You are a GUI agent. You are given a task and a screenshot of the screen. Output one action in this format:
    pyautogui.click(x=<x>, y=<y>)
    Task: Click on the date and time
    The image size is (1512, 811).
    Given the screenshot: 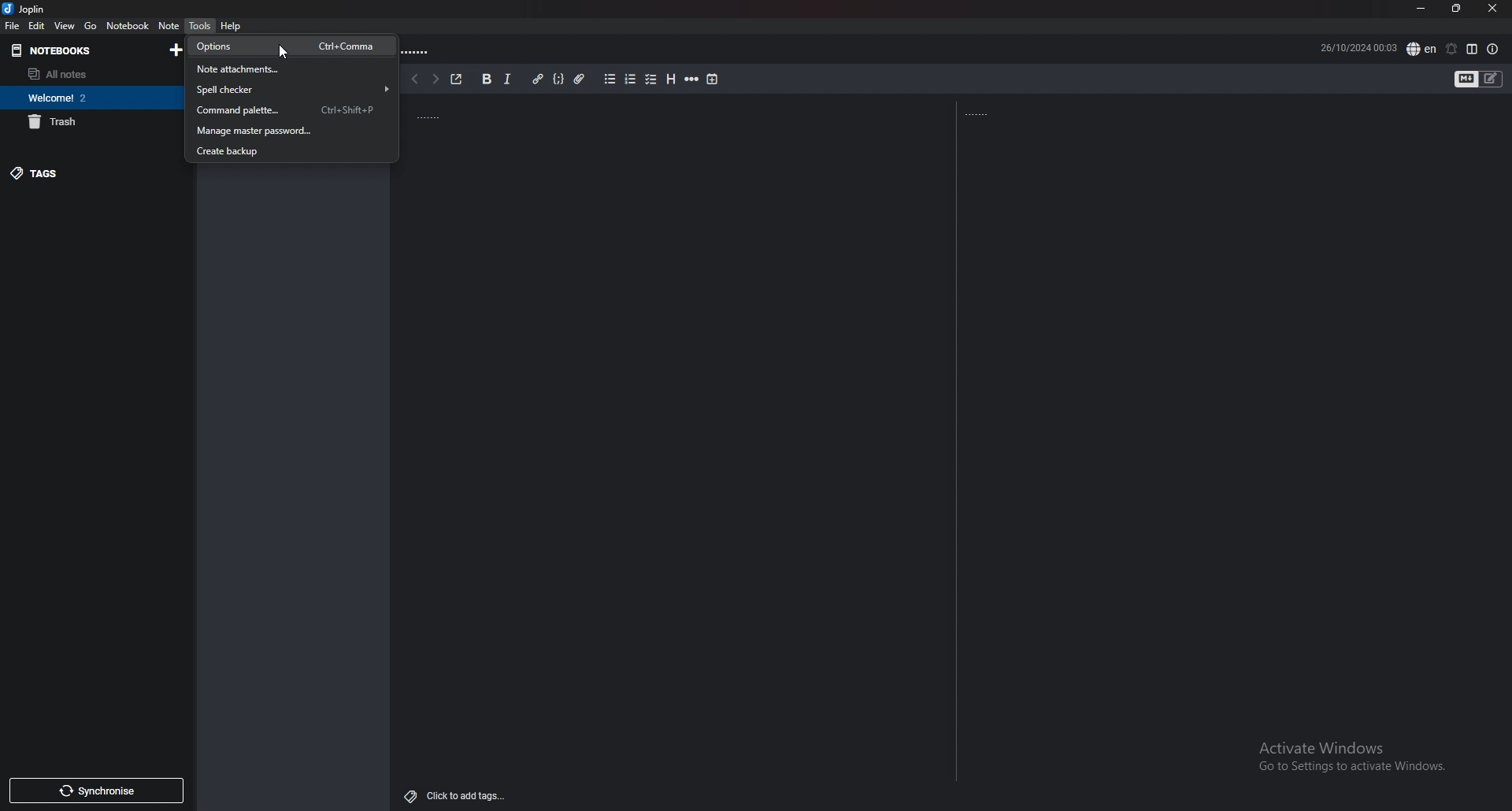 What is the action you would take?
    pyautogui.click(x=1354, y=48)
    